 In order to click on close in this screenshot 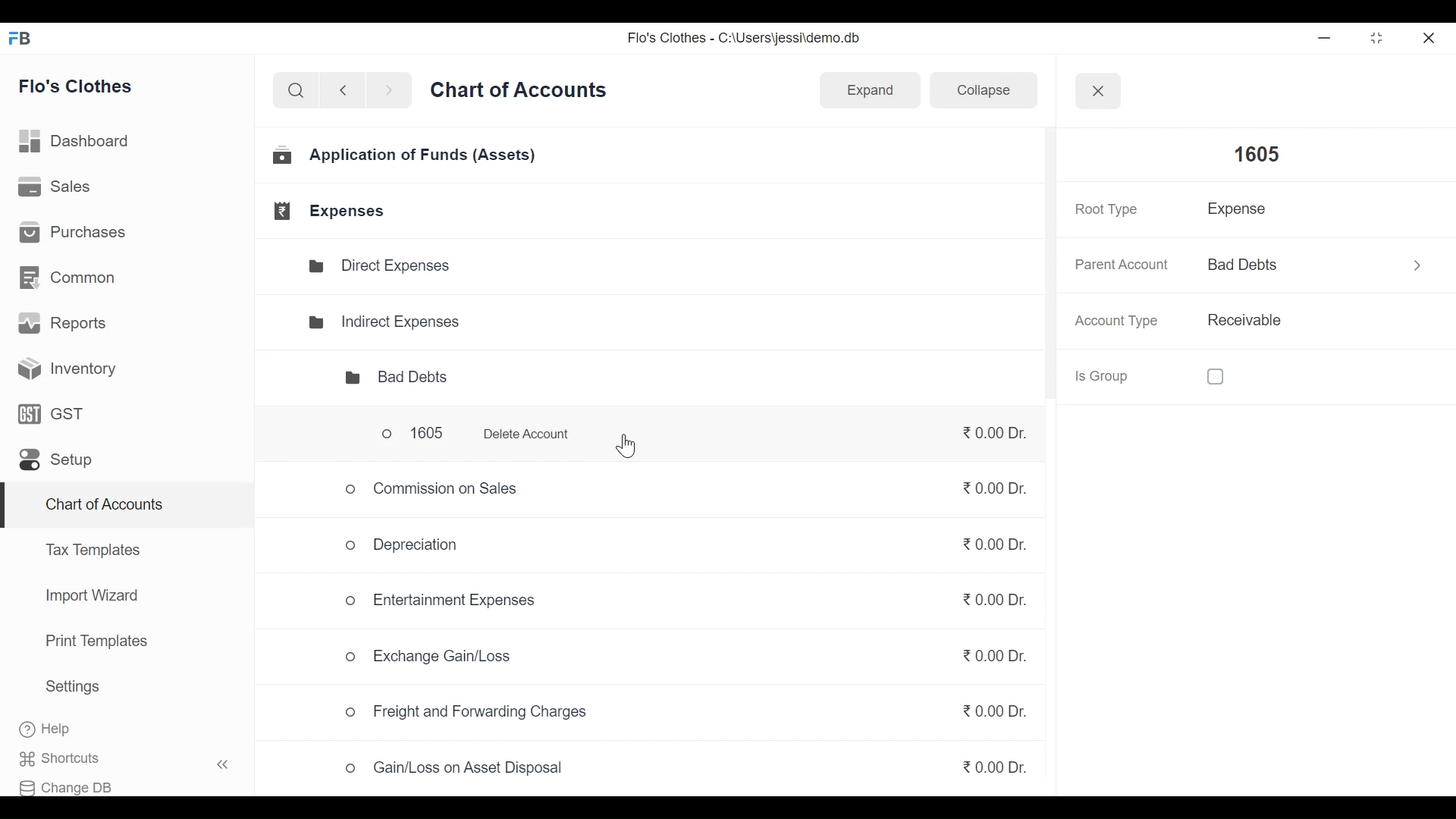, I will do `click(1430, 36)`.